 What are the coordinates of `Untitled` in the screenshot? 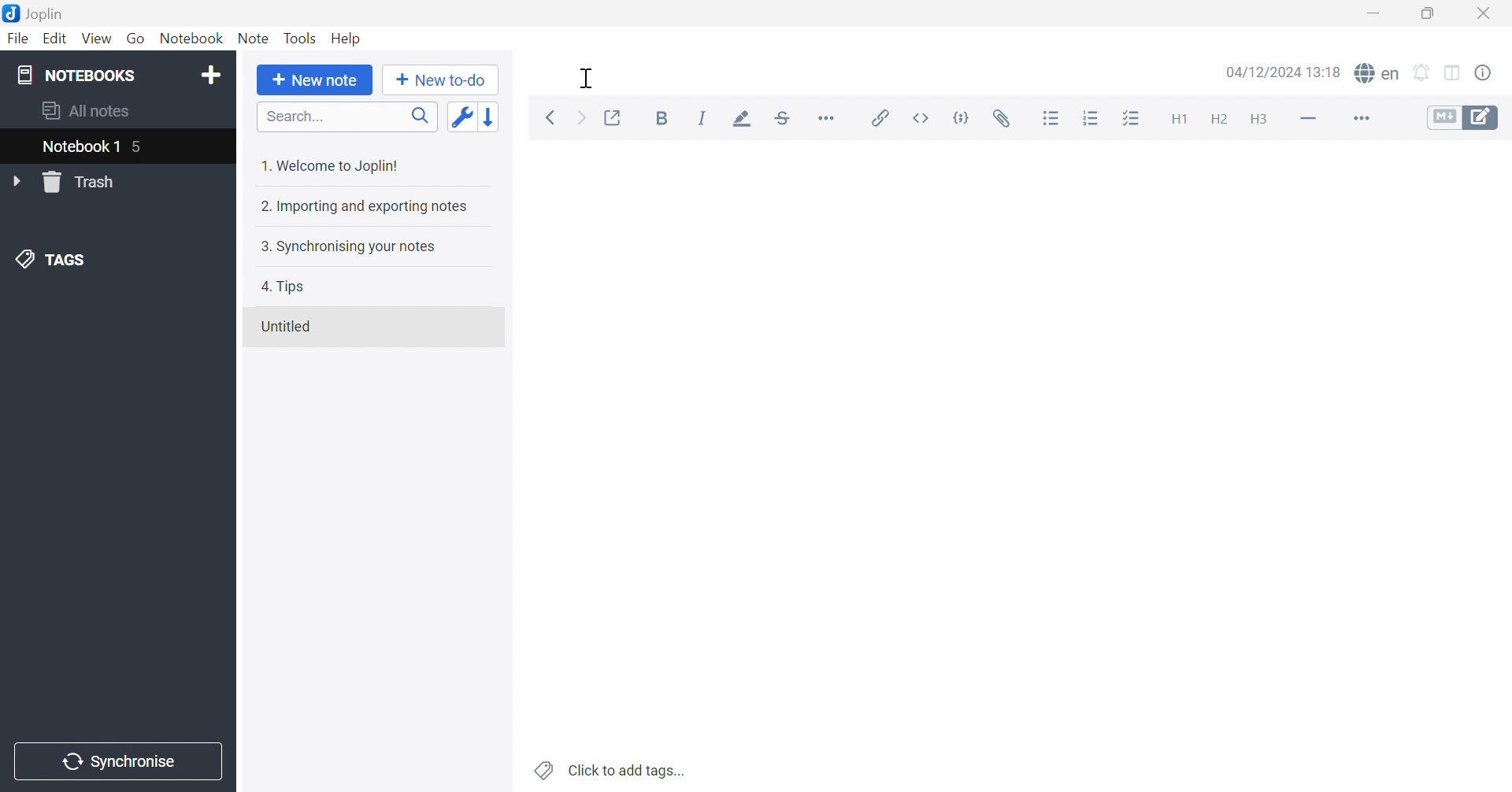 It's located at (295, 328).